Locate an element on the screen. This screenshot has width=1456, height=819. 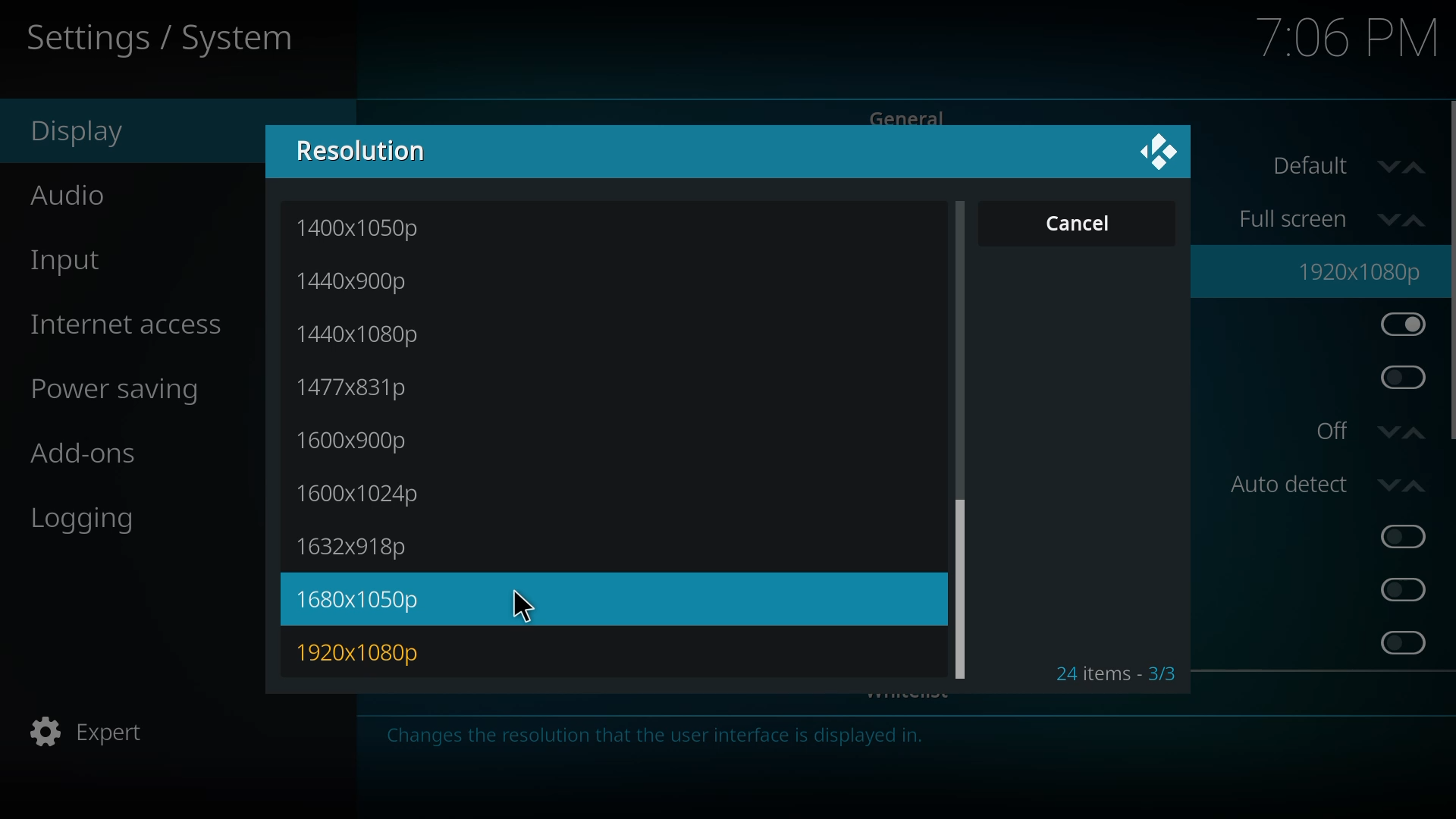
system is located at coordinates (171, 38).